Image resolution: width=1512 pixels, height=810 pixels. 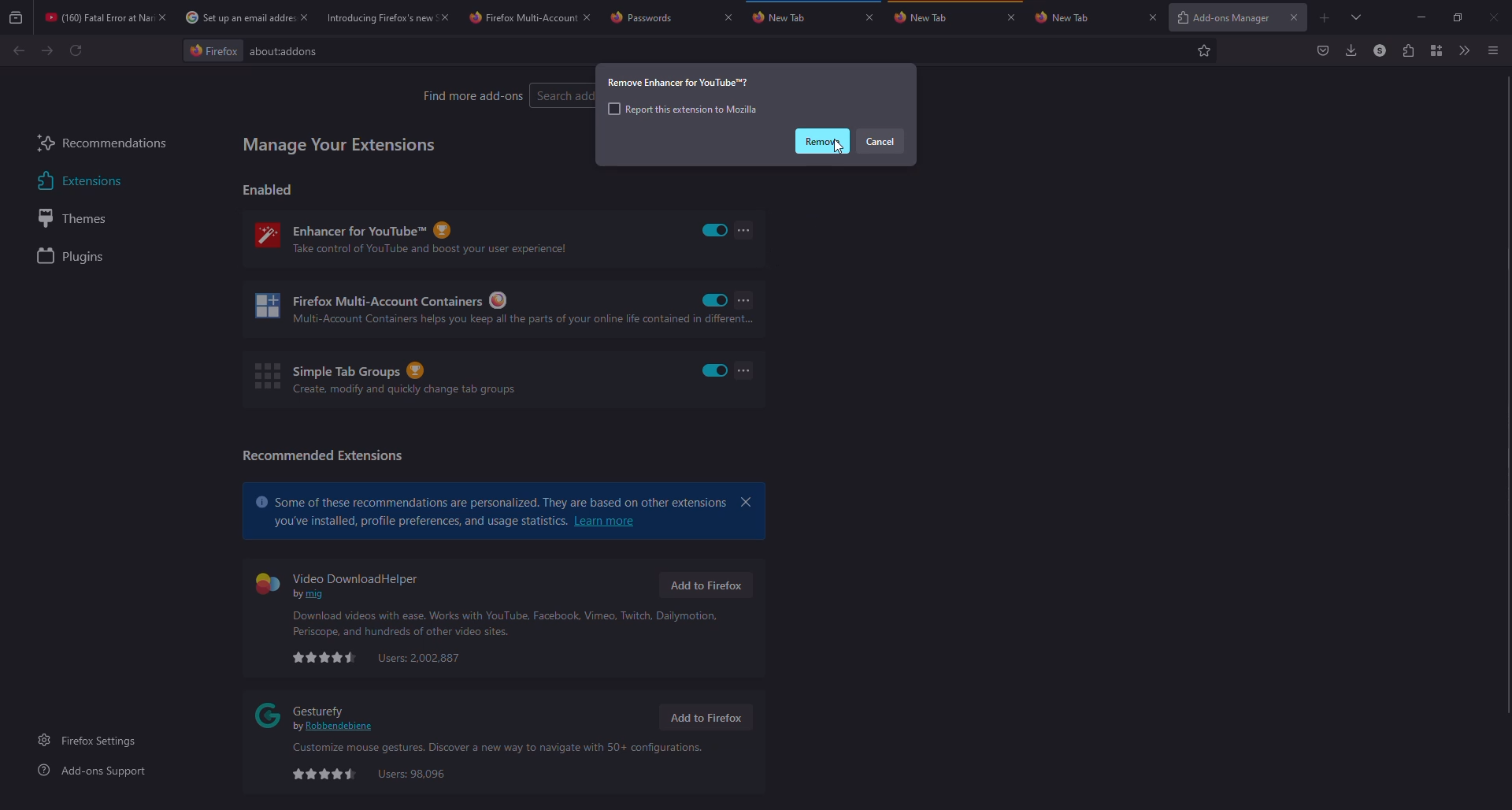 What do you see at coordinates (1153, 17) in the screenshot?
I see `close` at bounding box center [1153, 17].